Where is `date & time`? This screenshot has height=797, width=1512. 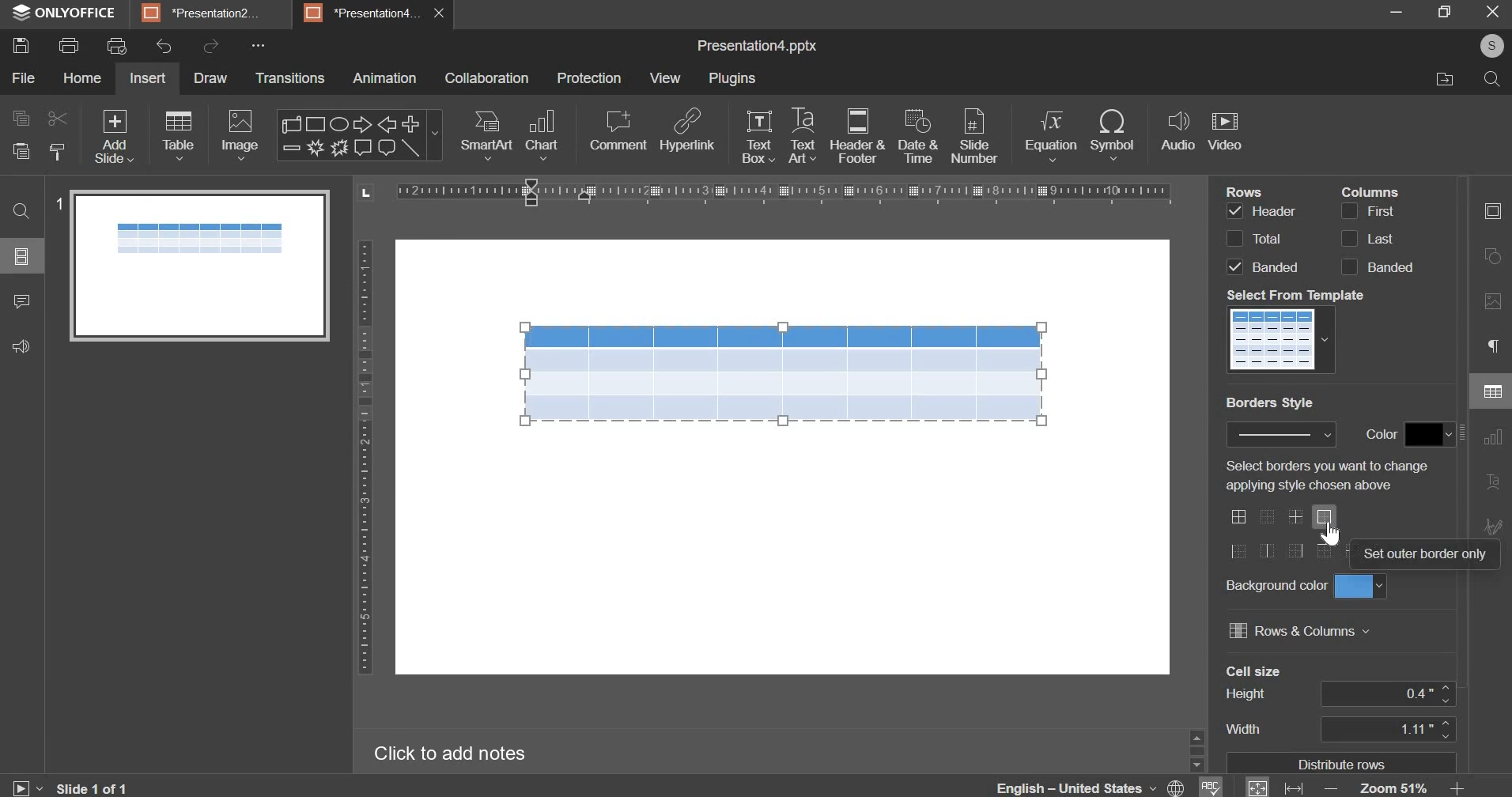 date & time is located at coordinates (917, 135).